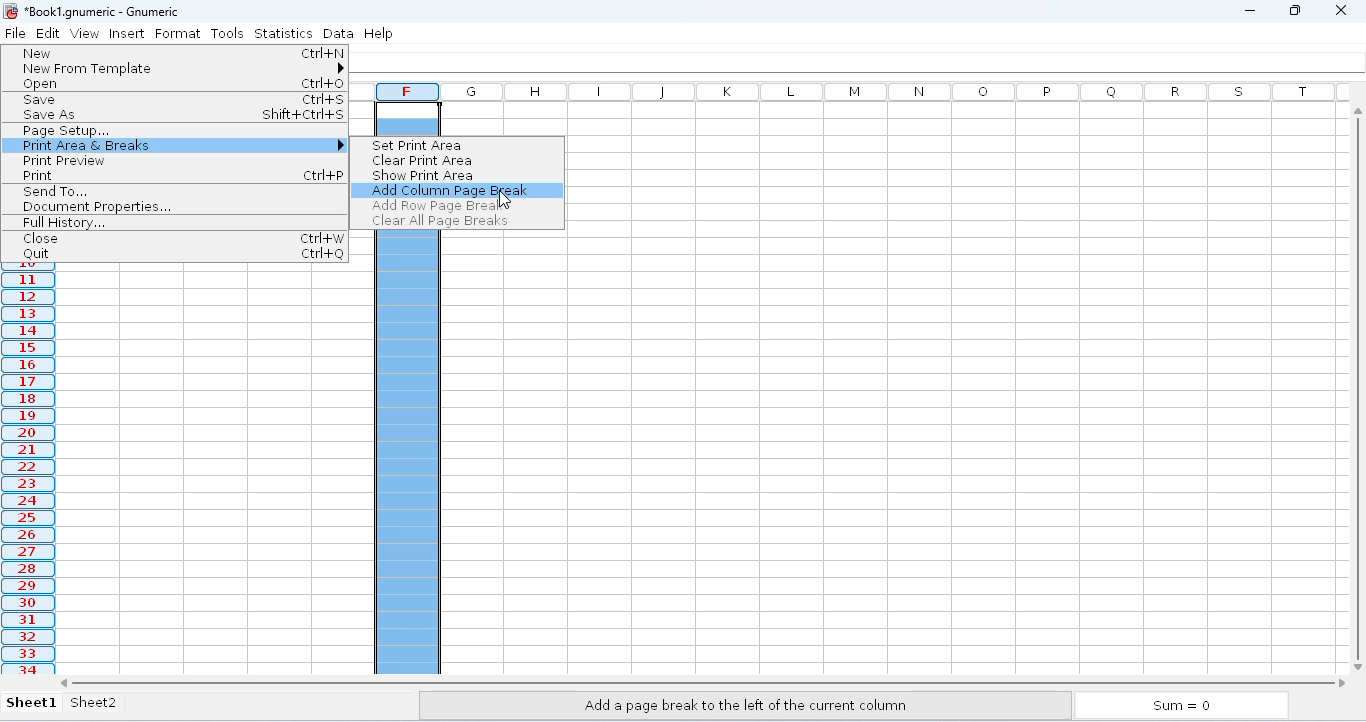 This screenshot has height=722, width=1366. What do you see at coordinates (180, 33) in the screenshot?
I see `Format` at bounding box center [180, 33].